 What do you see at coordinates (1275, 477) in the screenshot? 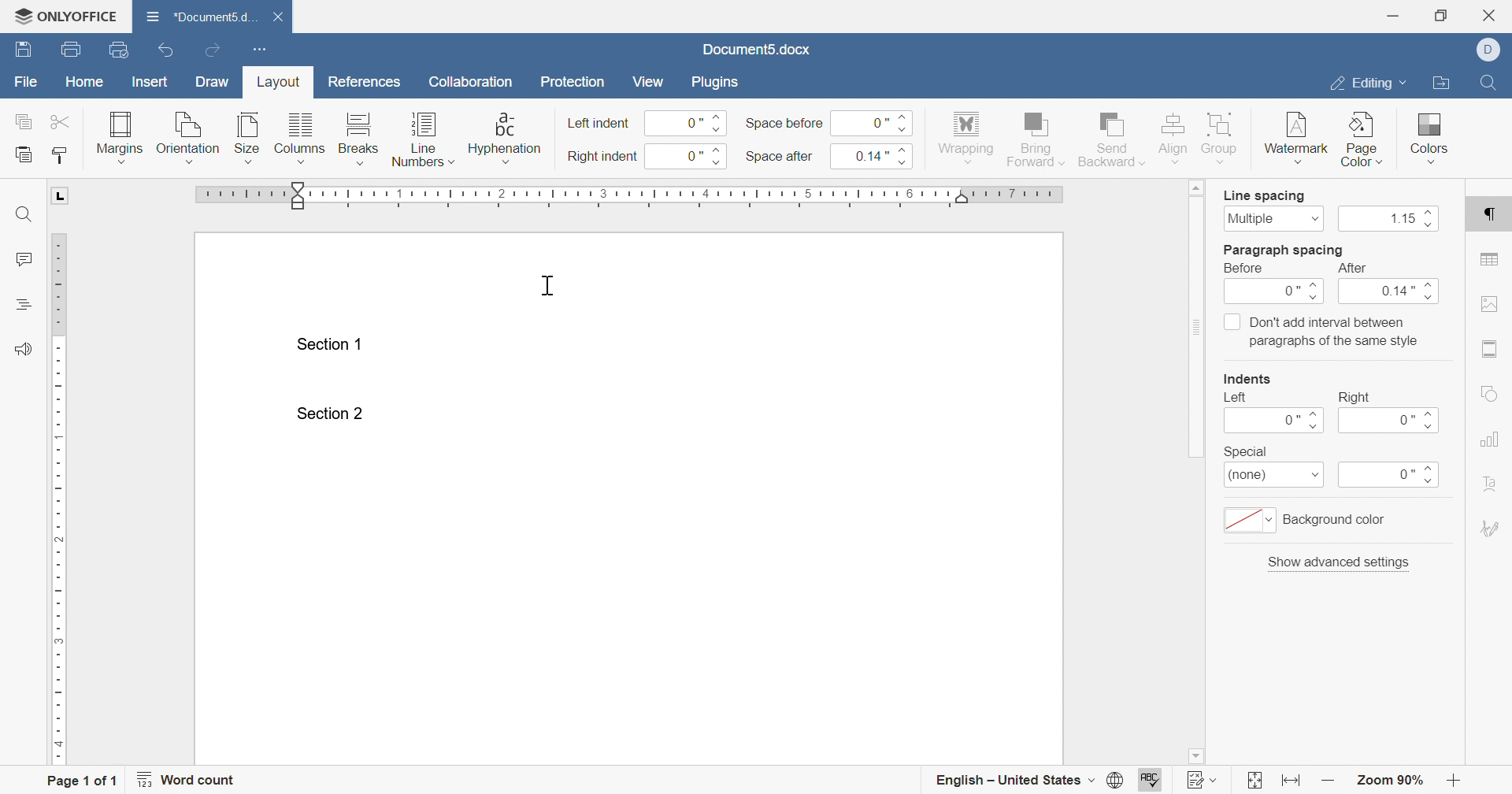
I see `(none)` at bounding box center [1275, 477].